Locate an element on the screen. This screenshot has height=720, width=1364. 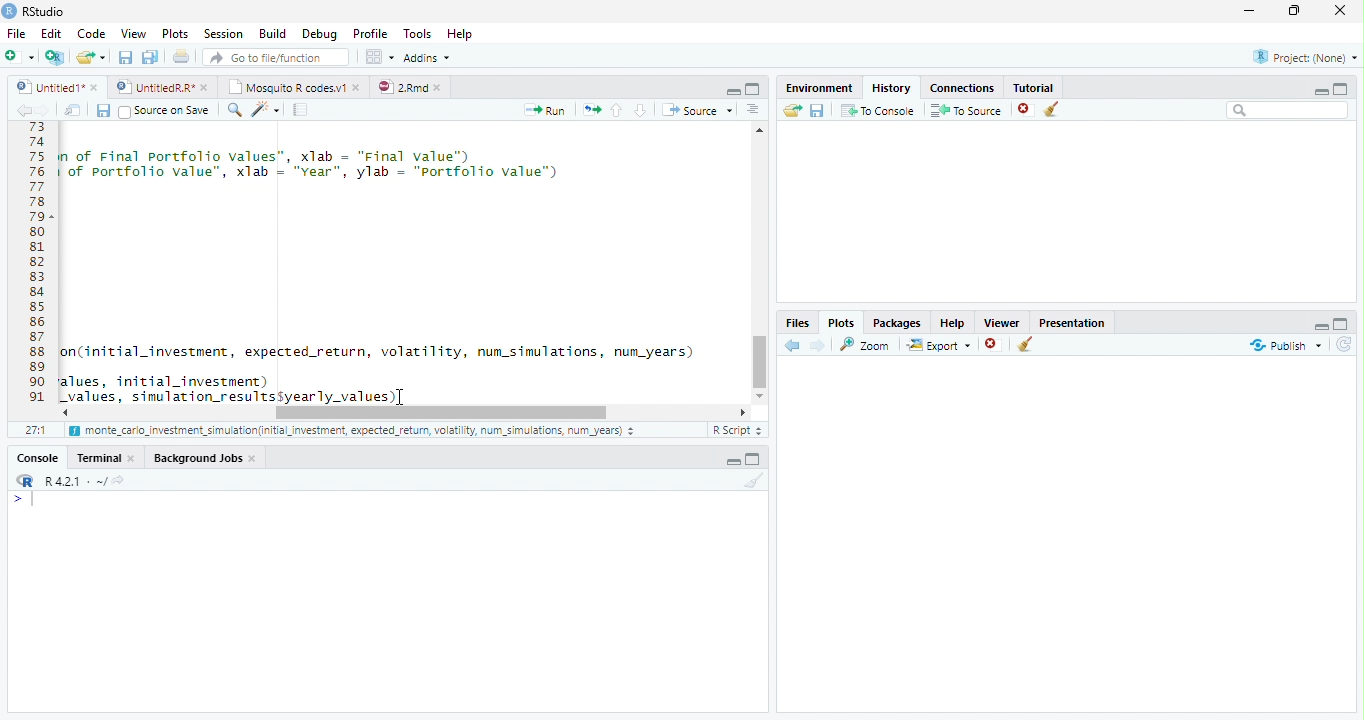
Scroll Left is located at coordinates (64, 412).